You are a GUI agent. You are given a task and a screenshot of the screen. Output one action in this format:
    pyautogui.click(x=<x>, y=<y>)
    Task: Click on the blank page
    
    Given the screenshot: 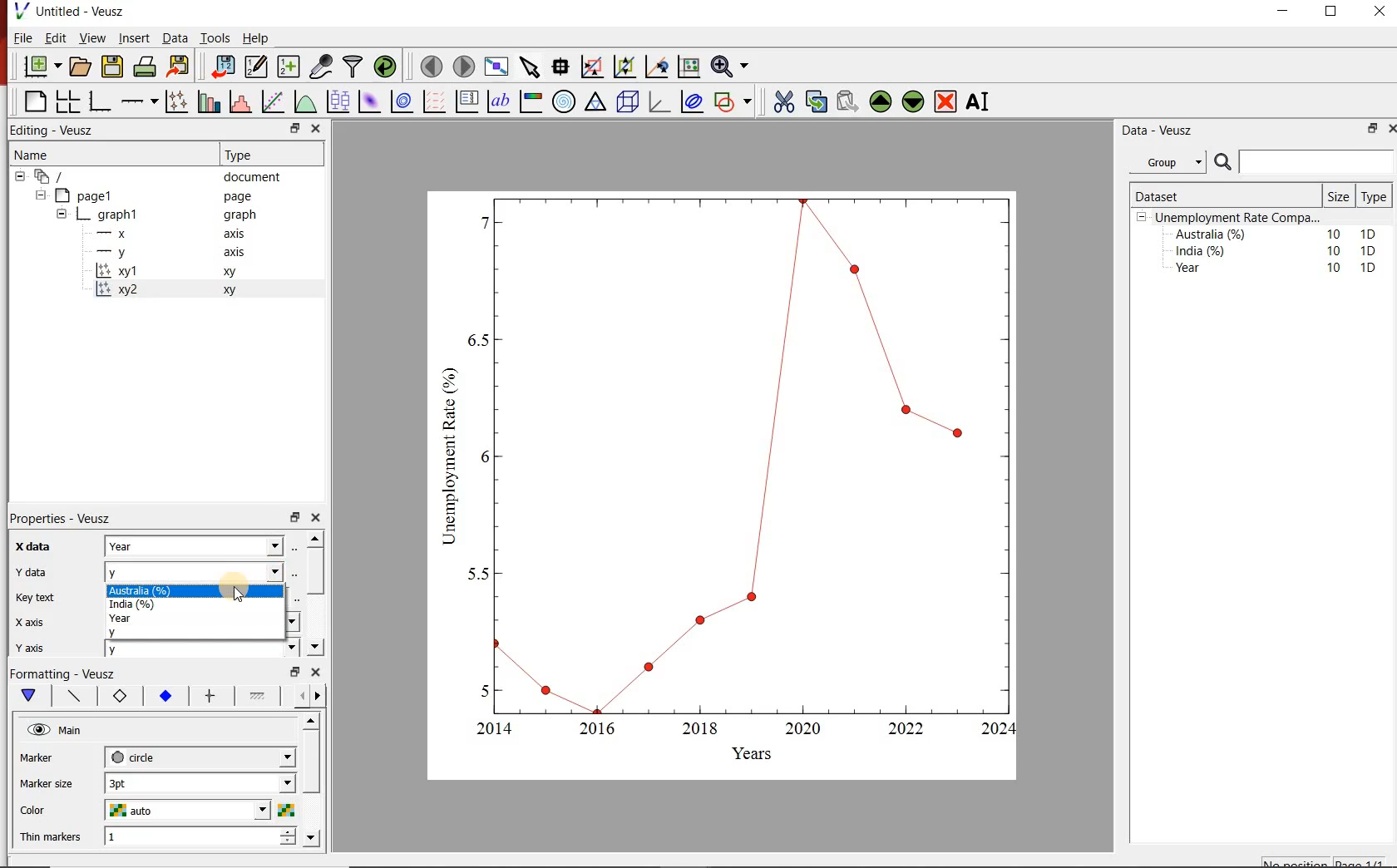 What is the action you would take?
    pyautogui.click(x=34, y=100)
    